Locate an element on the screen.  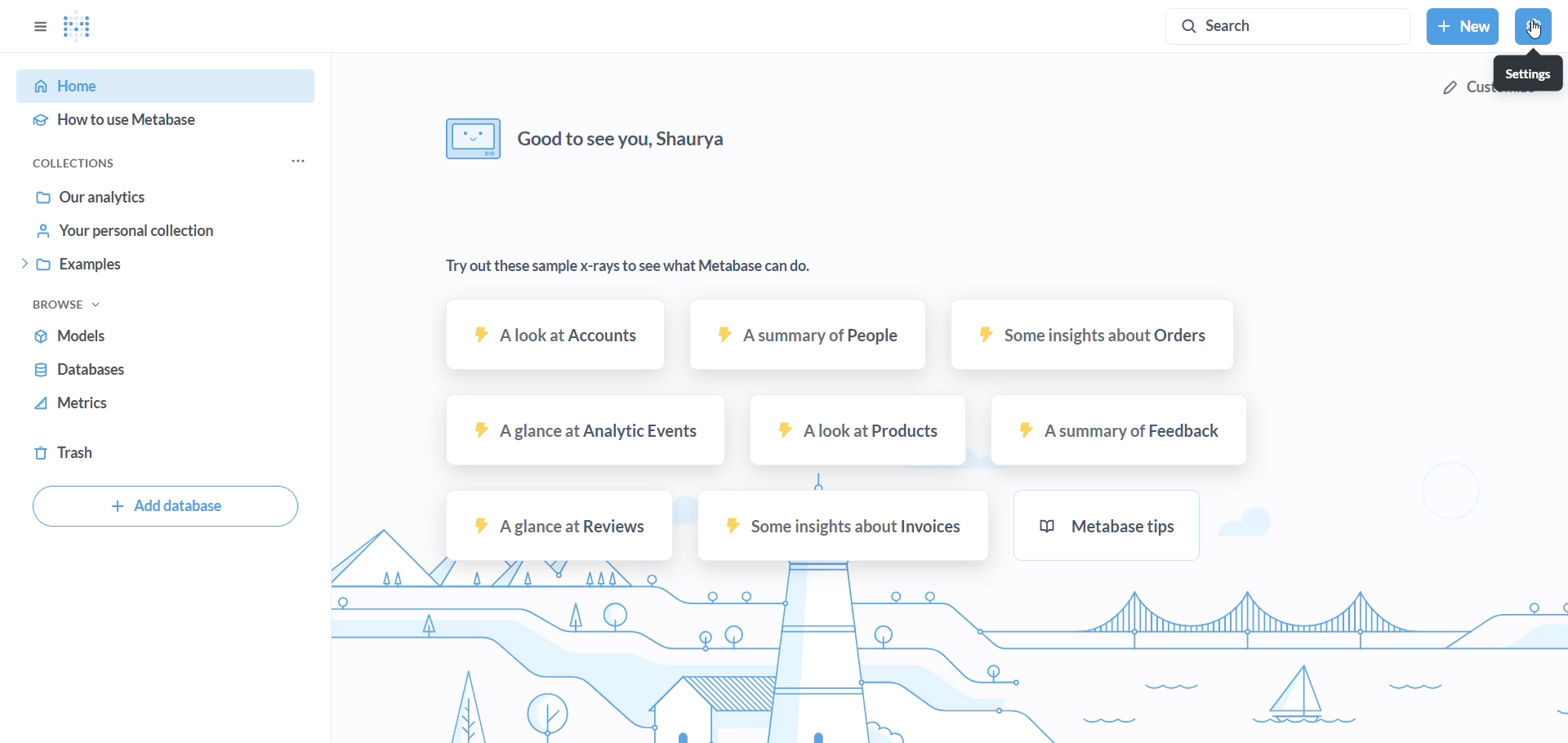
settings is located at coordinates (1535, 26).